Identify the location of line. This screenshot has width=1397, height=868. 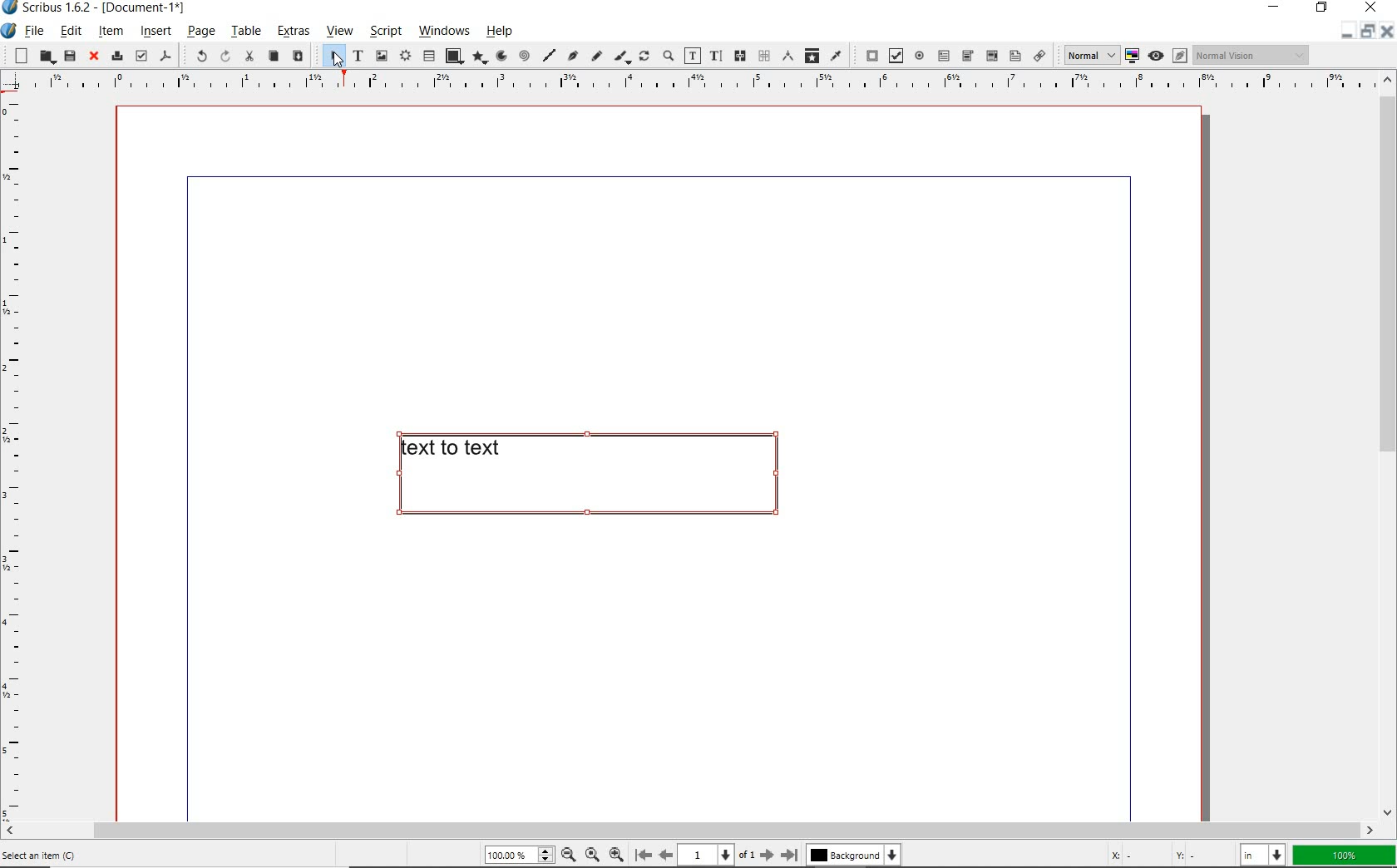
(548, 55).